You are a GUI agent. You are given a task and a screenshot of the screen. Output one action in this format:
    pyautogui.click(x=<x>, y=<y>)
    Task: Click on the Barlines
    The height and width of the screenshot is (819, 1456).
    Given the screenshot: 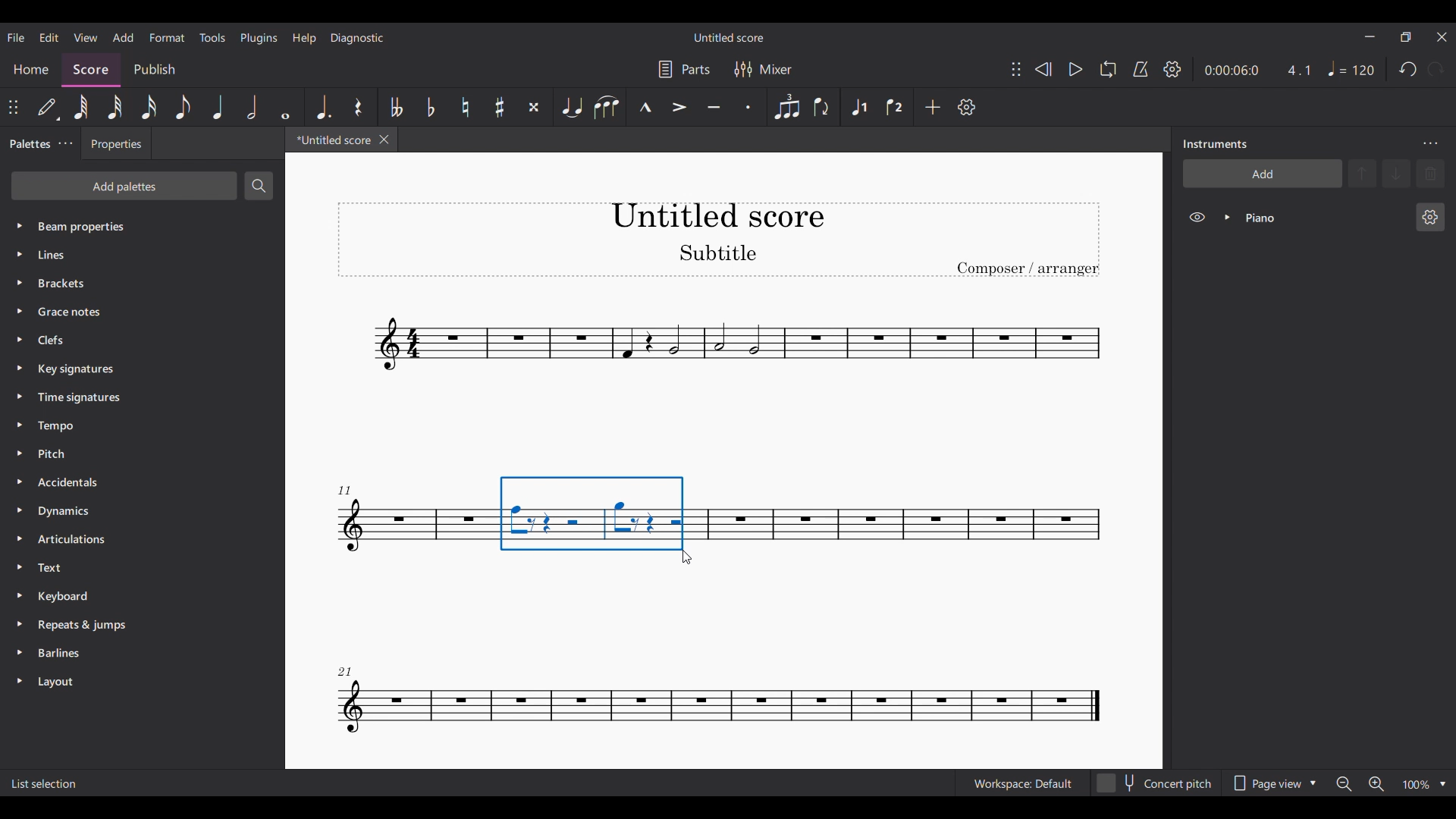 What is the action you would take?
    pyautogui.click(x=130, y=655)
    